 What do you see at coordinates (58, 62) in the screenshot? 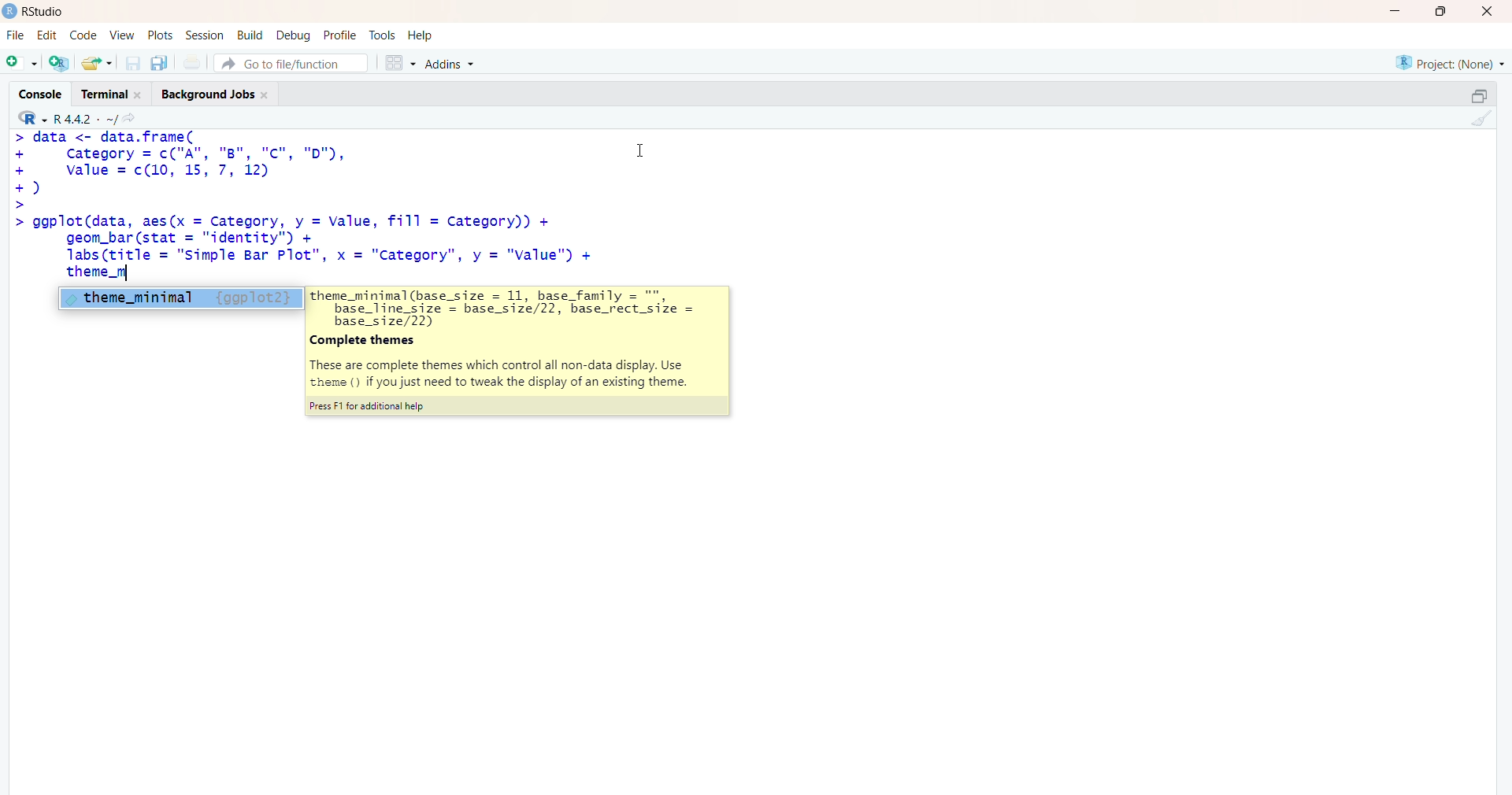
I see `create a project` at bounding box center [58, 62].